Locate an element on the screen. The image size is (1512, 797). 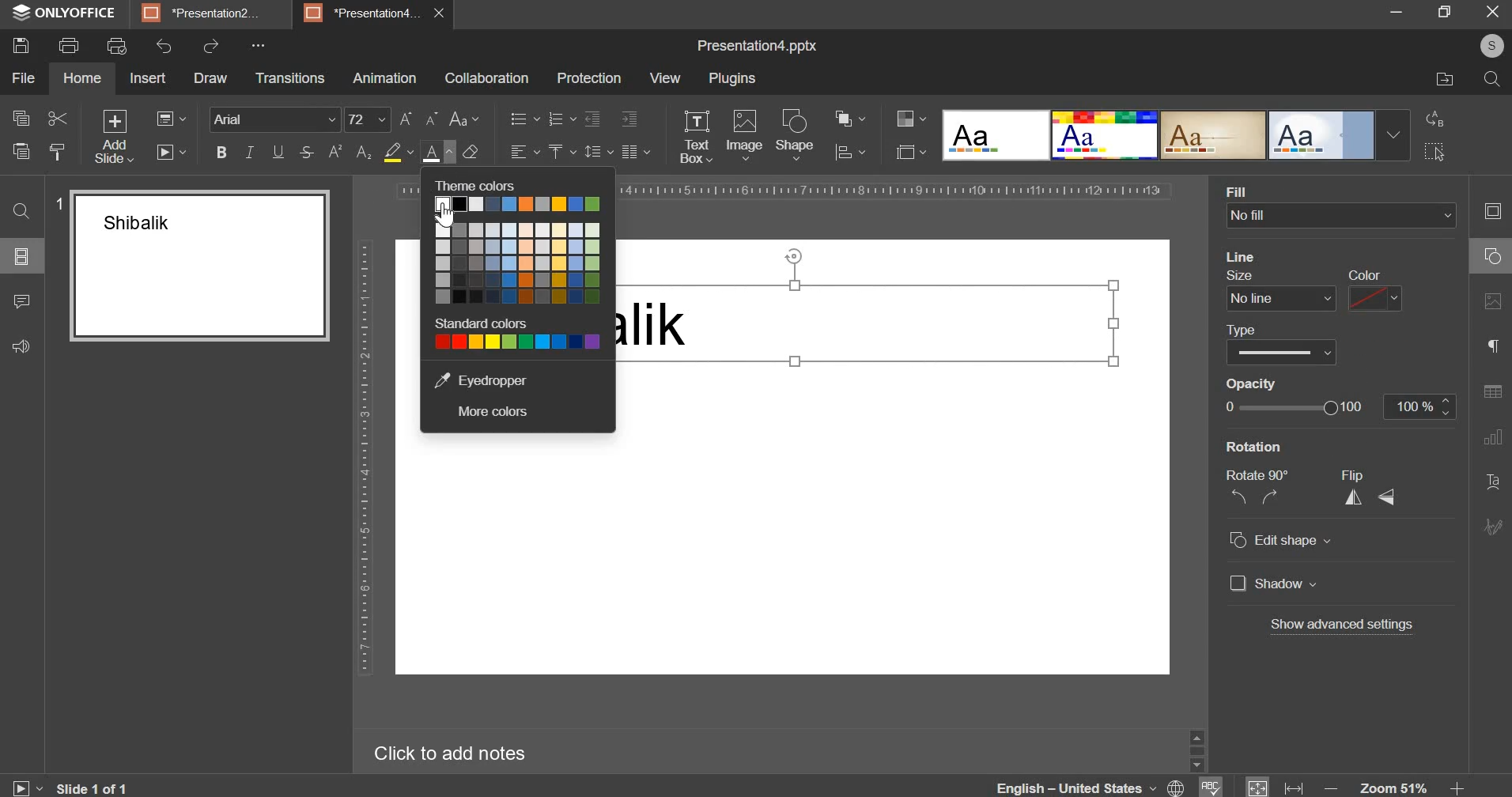
cut is located at coordinates (57, 119).